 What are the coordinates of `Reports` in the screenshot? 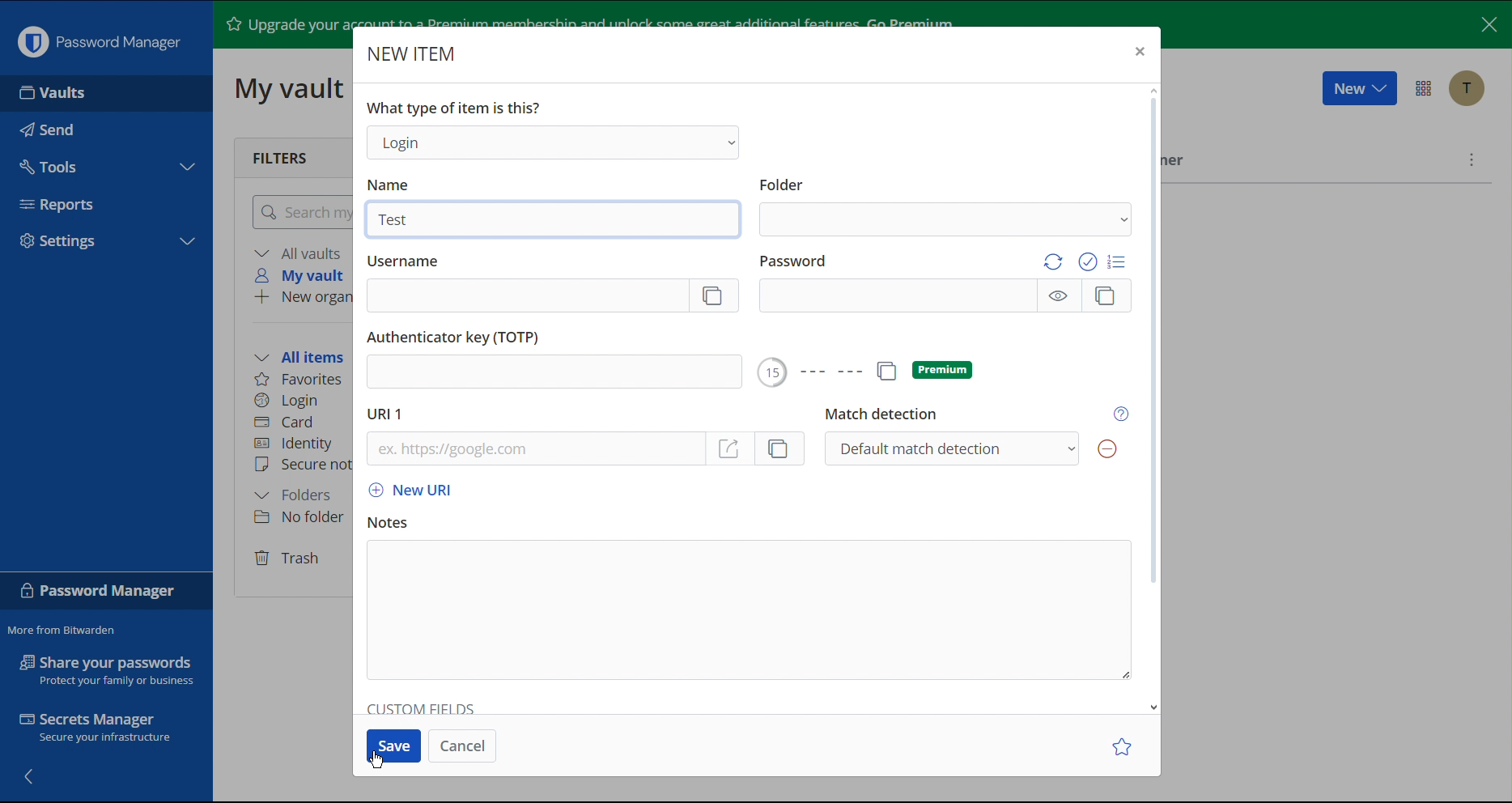 It's located at (103, 206).